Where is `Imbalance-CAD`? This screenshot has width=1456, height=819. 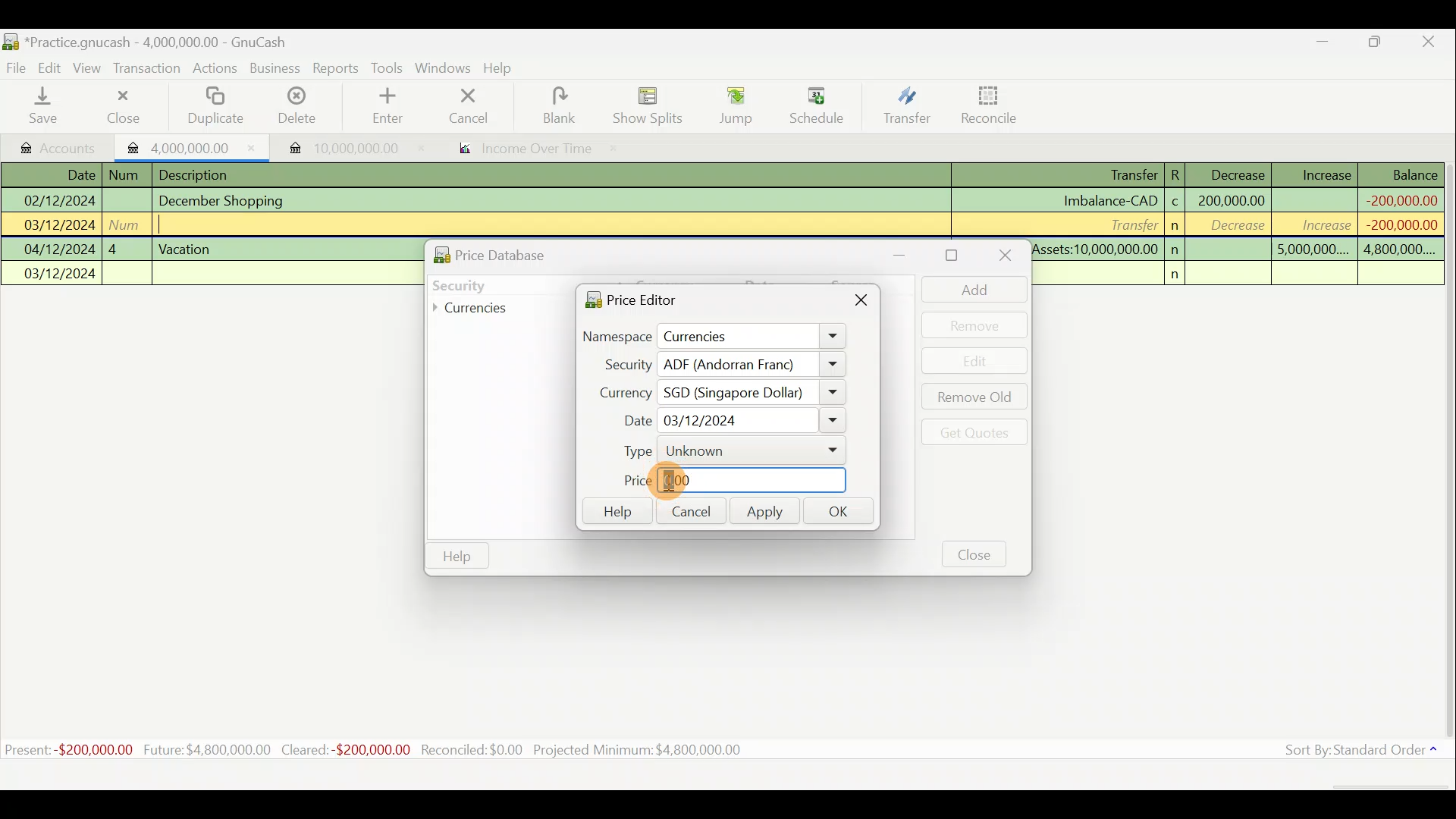 Imbalance-CAD is located at coordinates (1109, 200).